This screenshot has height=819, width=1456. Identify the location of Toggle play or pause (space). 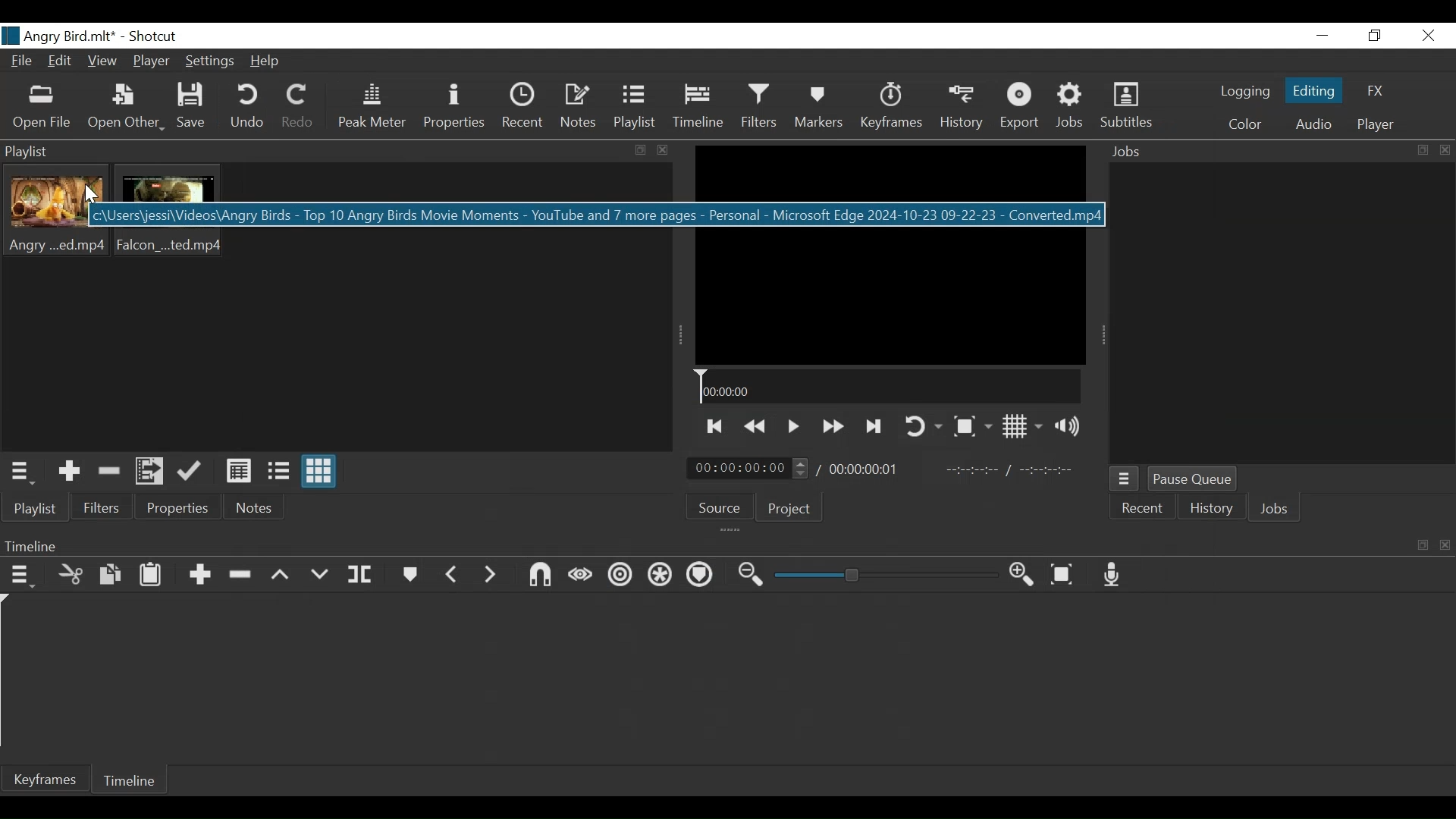
(792, 428).